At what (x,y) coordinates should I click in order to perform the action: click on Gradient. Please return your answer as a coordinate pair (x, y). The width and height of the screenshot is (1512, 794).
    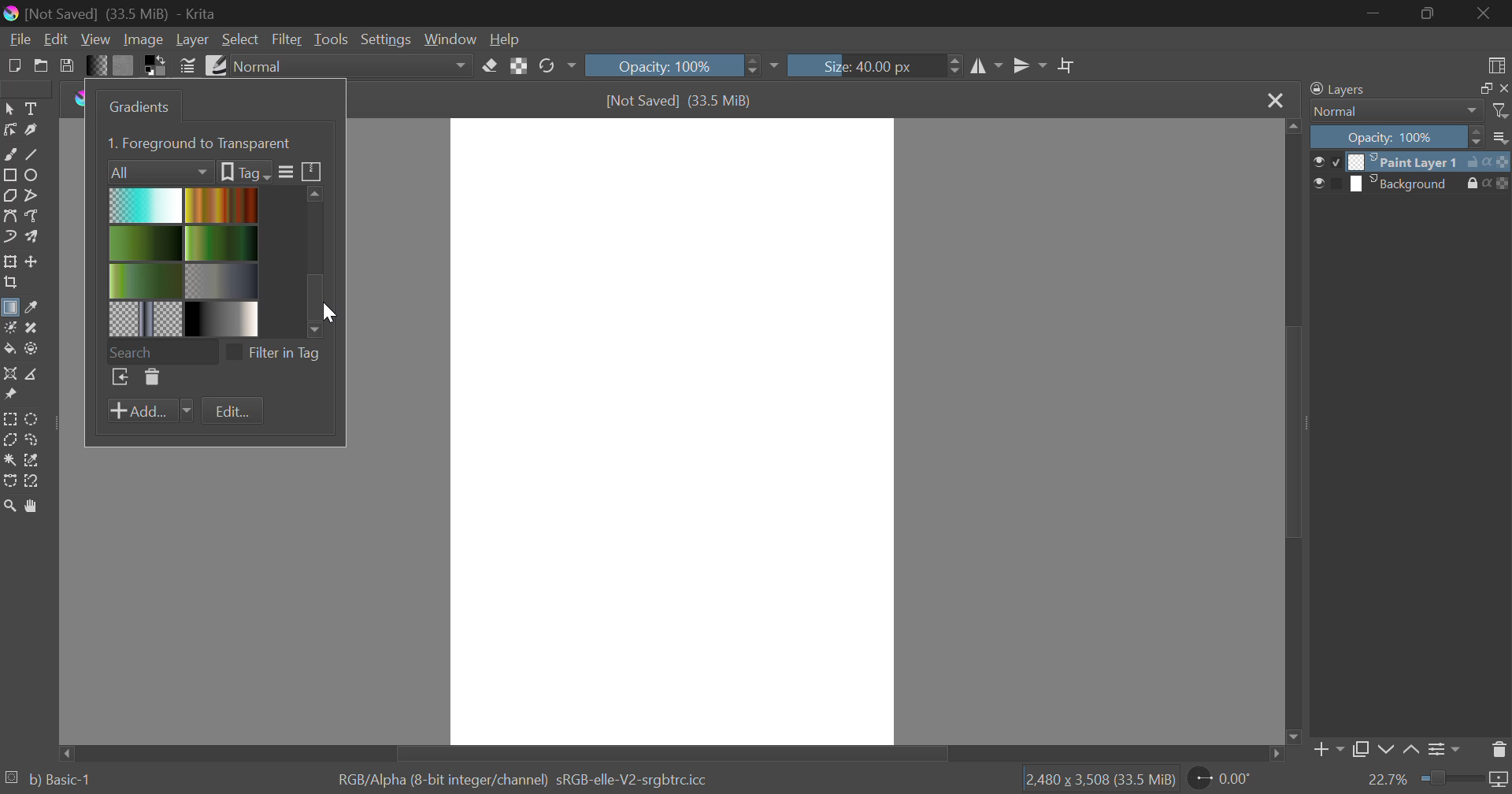
    Looking at the image, I should click on (96, 65).